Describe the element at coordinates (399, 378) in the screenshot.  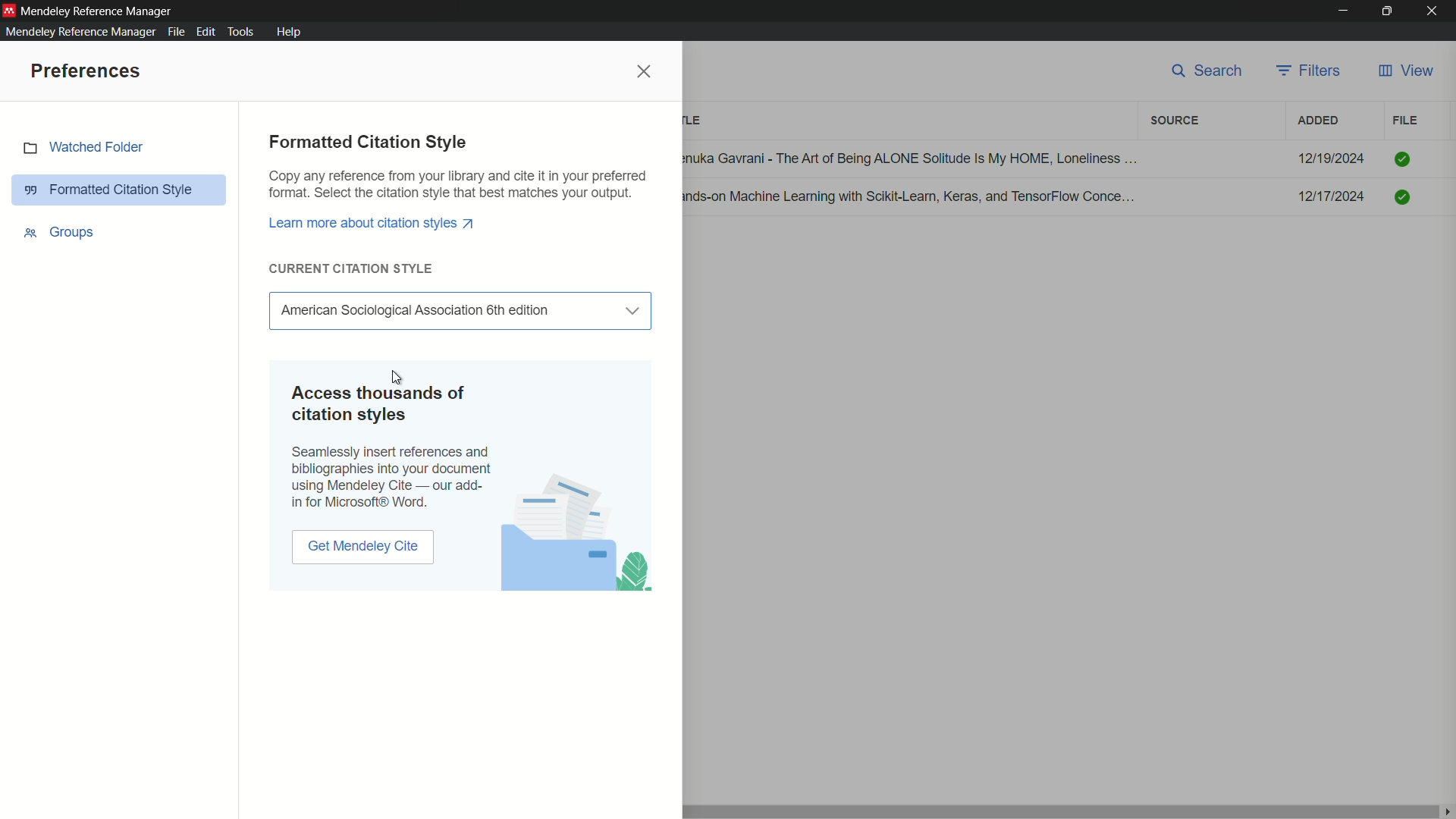
I see `cursor` at that location.